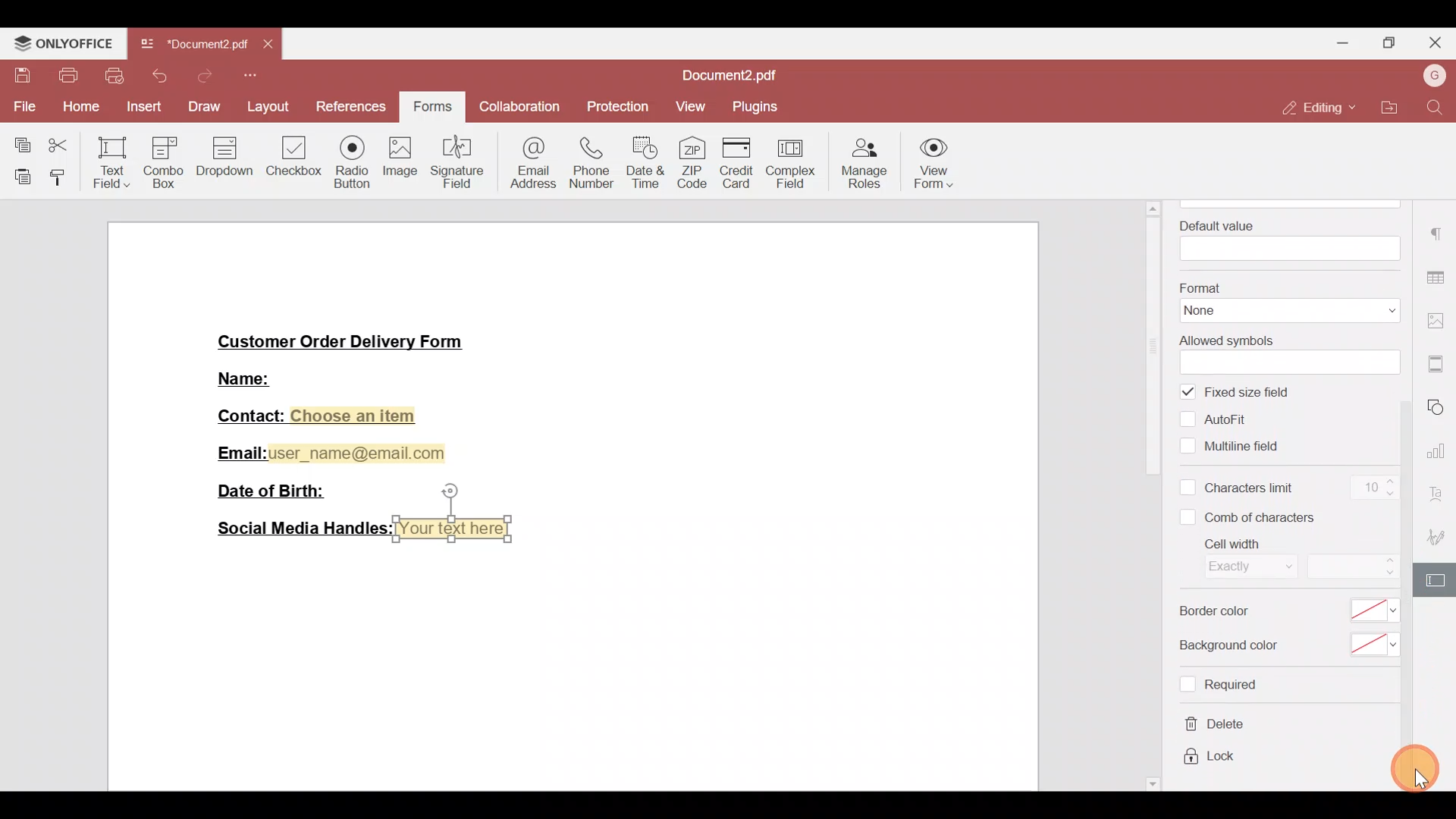 The width and height of the screenshot is (1456, 819). I want to click on Editing mode, so click(1316, 108).